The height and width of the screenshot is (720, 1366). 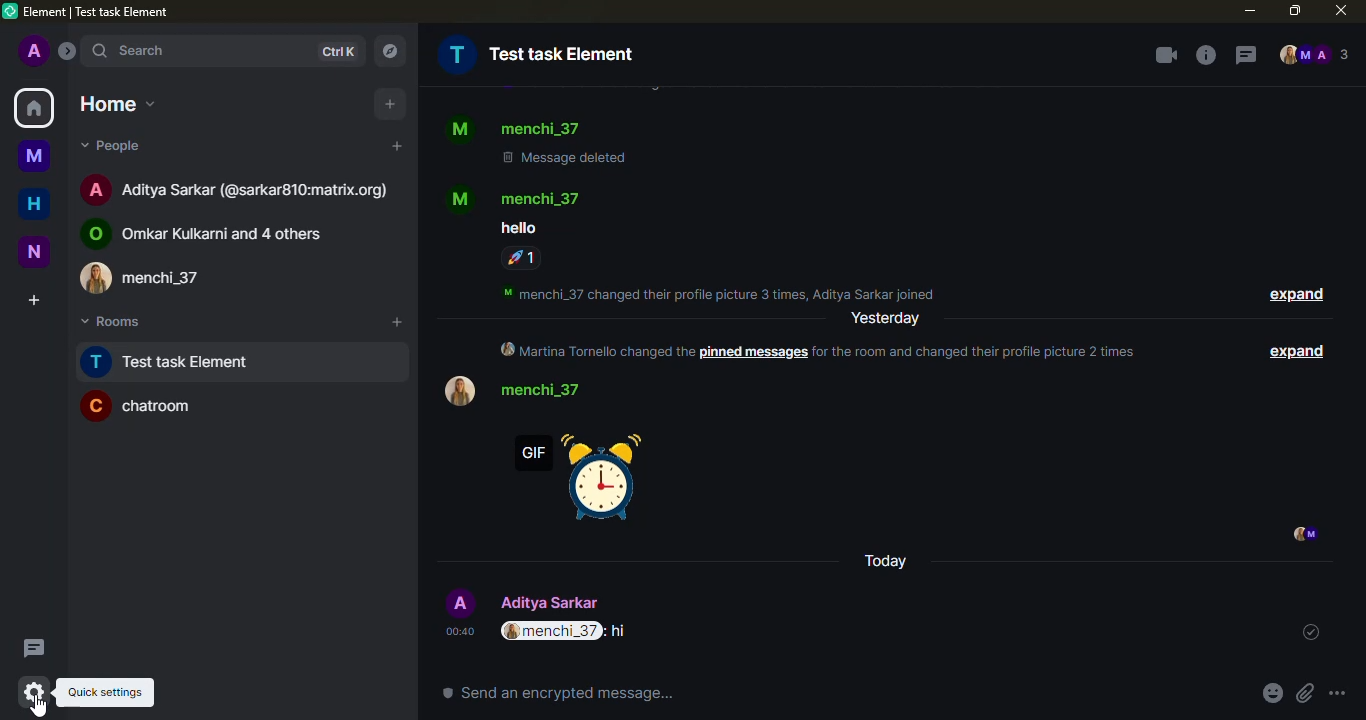 What do you see at coordinates (145, 407) in the screenshot?
I see `chatroom` at bounding box center [145, 407].